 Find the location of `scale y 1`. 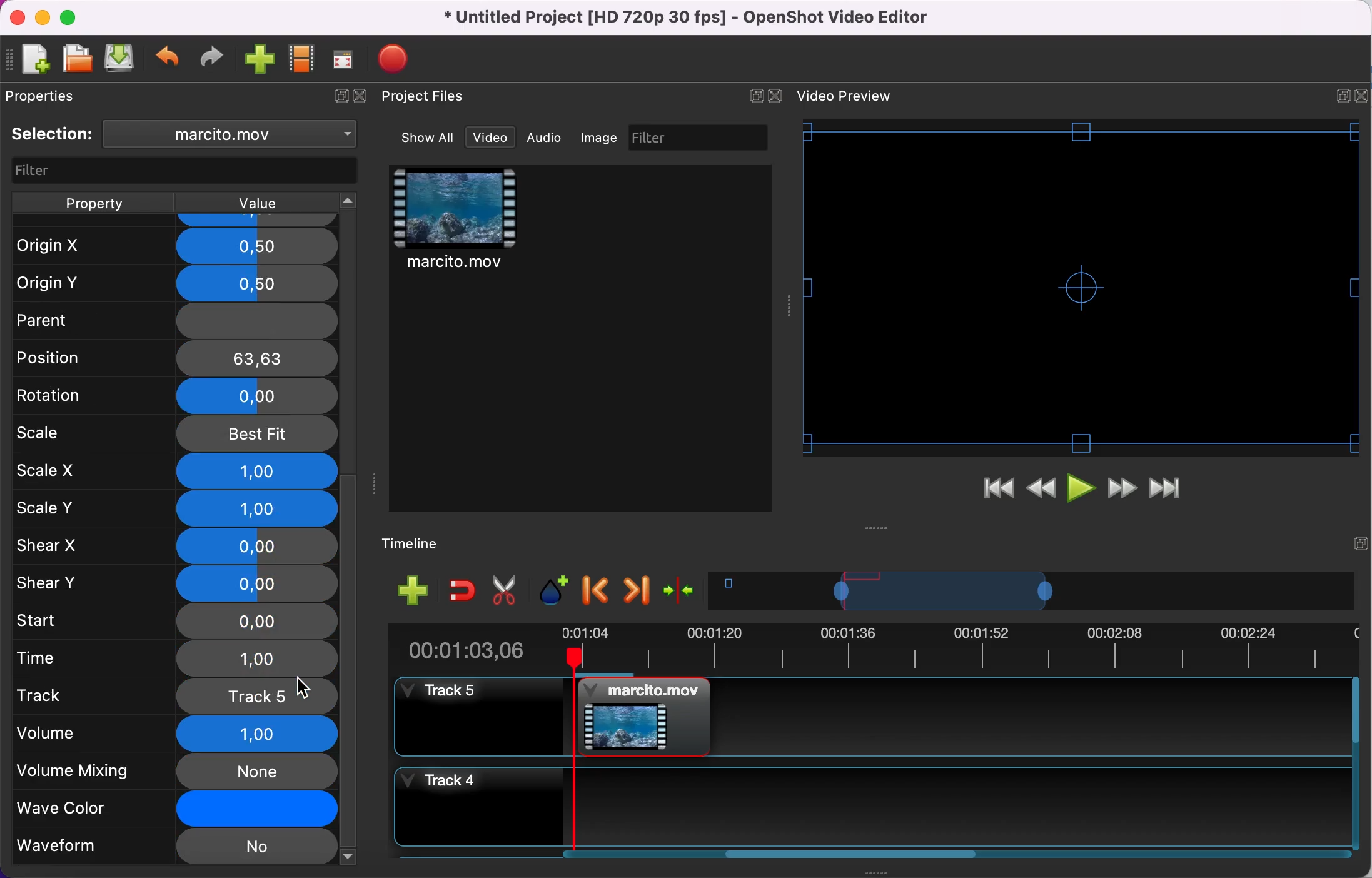

scale y 1 is located at coordinates (180, 510).